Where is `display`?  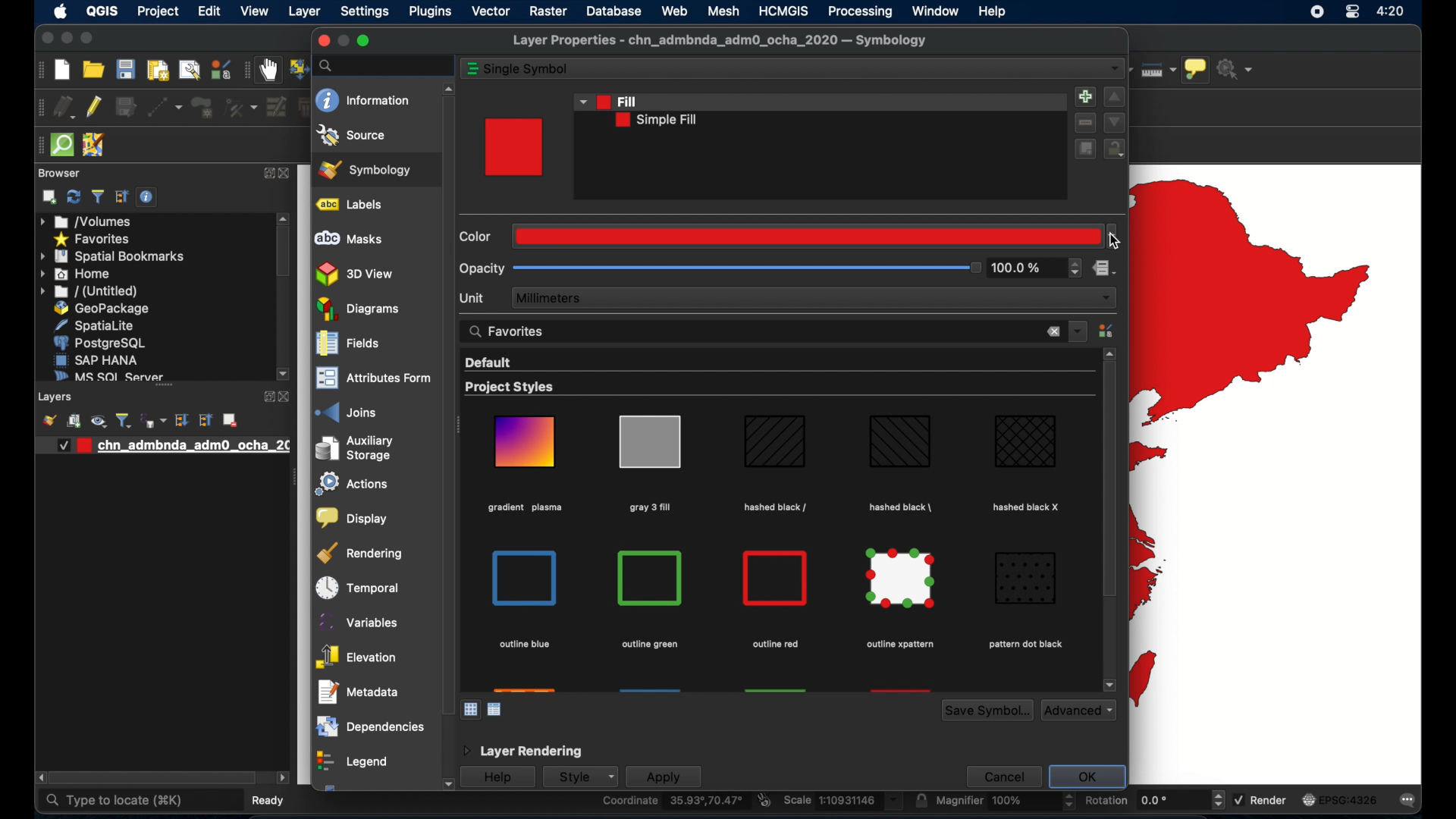
display is located at coordinates (350, 519).